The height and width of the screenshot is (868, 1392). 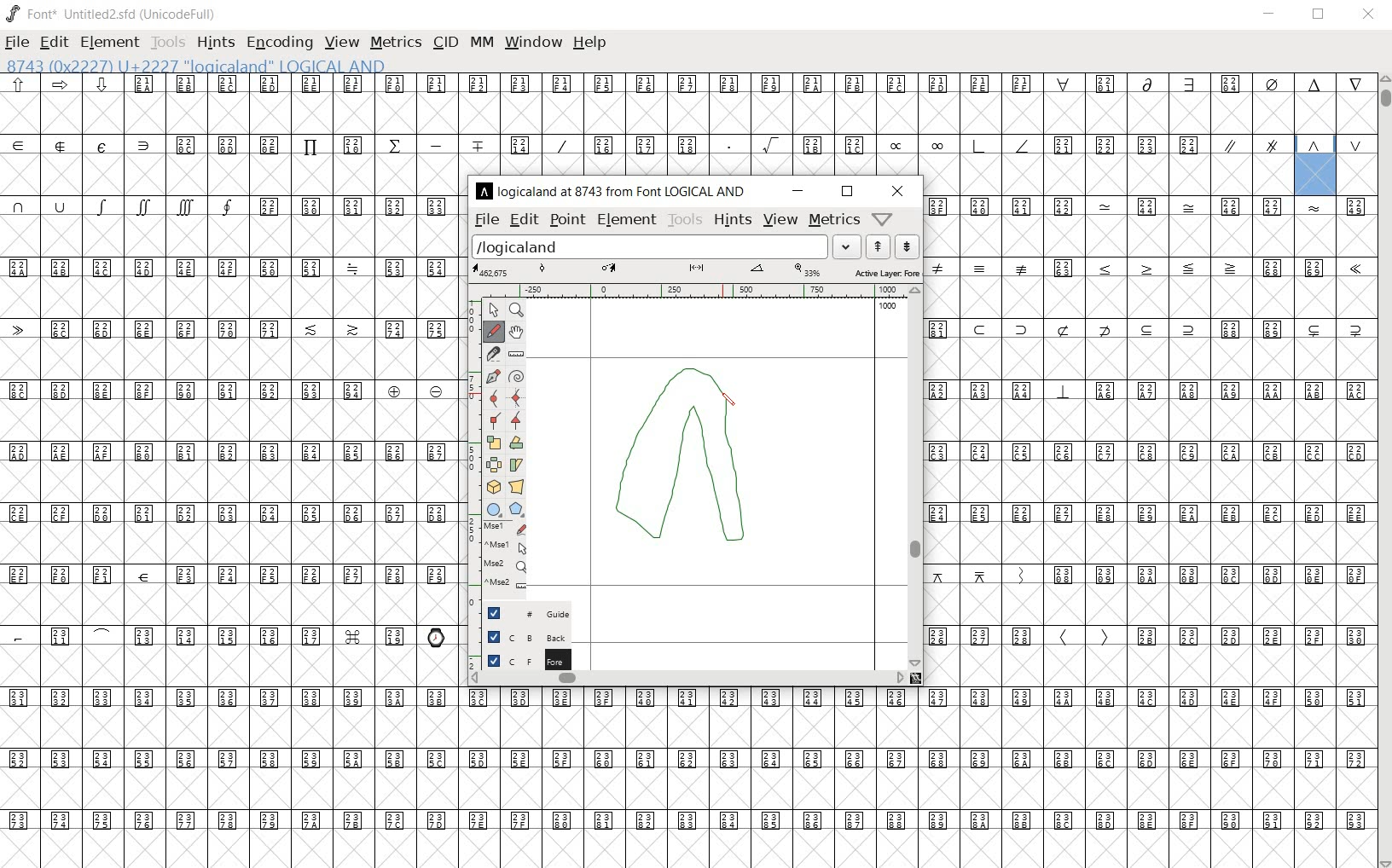 I want to click on scrollbar, so click(x=686, y=678).